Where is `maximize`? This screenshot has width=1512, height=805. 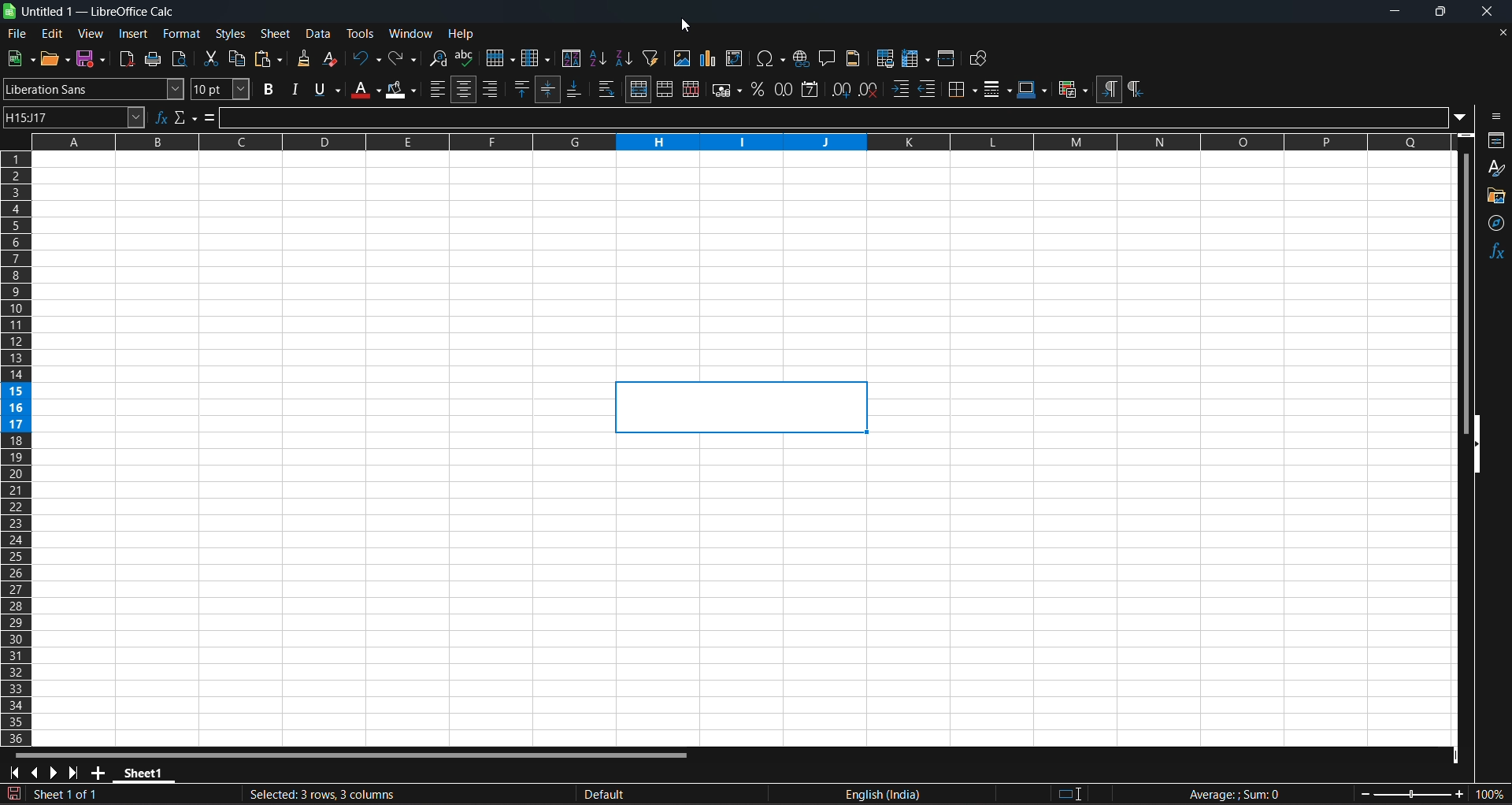
maximize is located at coordinates (1433, 12).